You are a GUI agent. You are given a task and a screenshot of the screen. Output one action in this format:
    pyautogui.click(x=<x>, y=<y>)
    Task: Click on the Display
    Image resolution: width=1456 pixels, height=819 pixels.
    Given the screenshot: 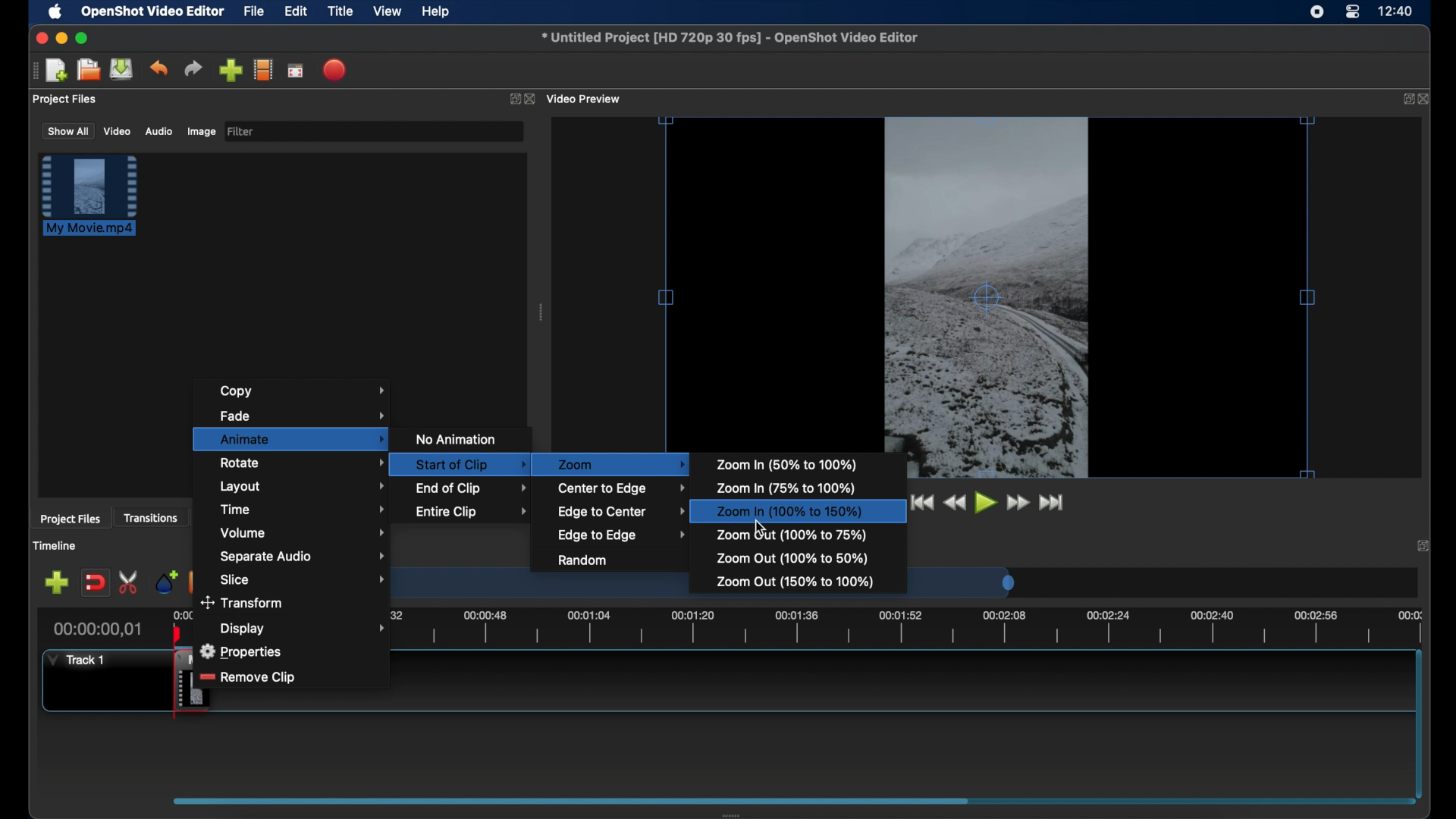 What is the action you would take?
    pyautogui.click(x=244, y=628)
    